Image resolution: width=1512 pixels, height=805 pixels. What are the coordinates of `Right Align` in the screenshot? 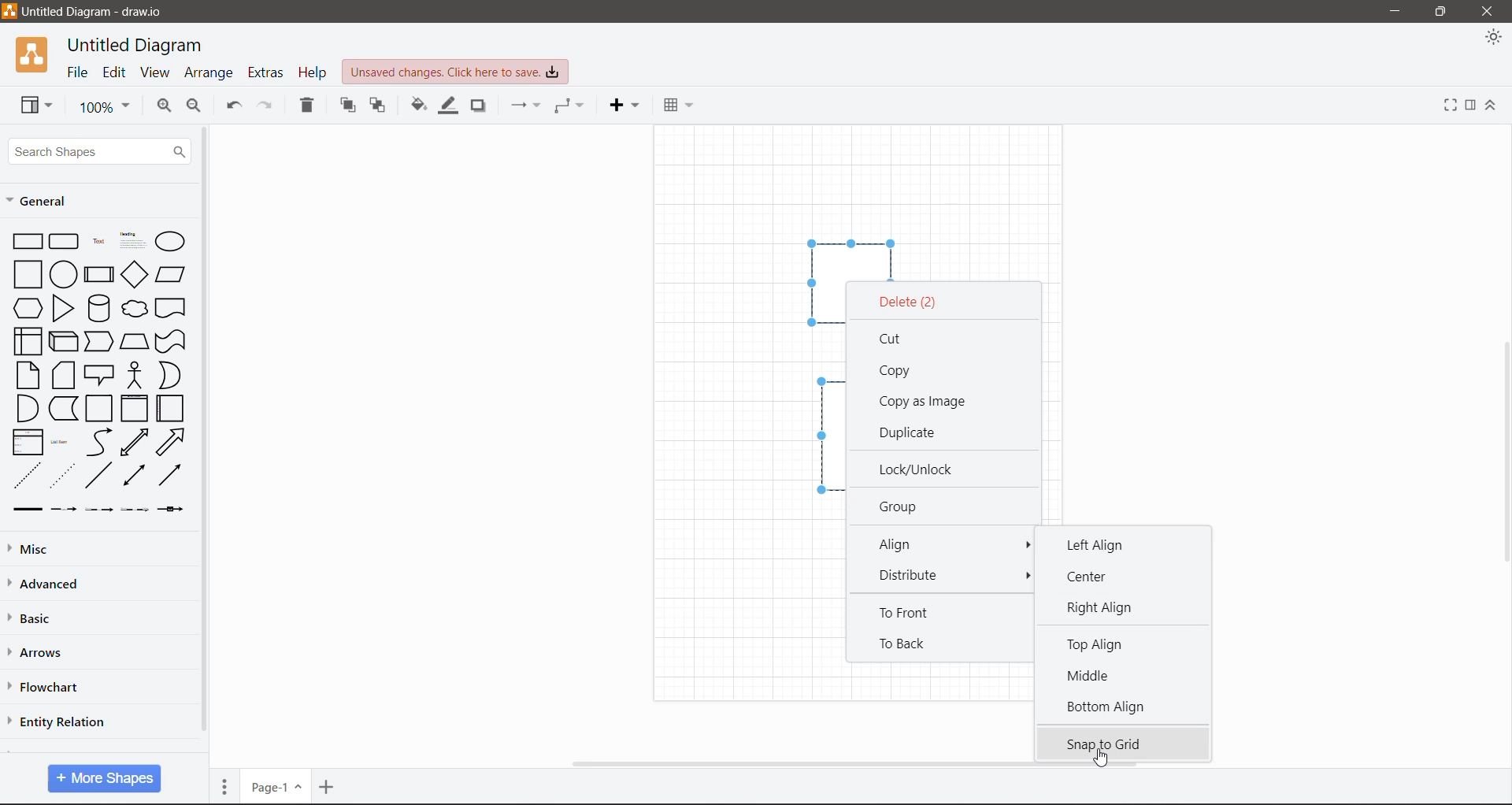 It's located at (1106, 608).